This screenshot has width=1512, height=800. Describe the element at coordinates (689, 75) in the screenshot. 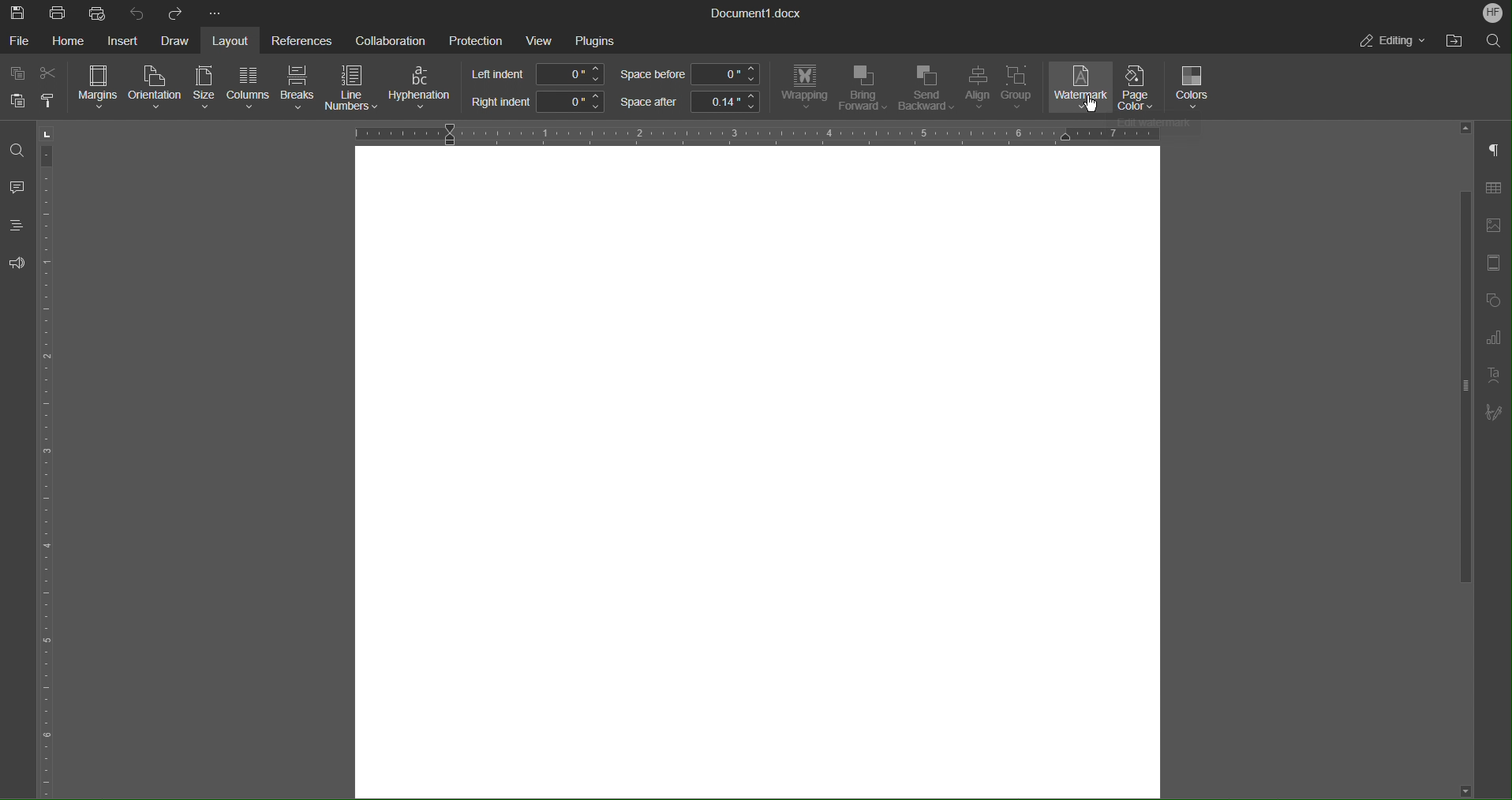

I see `Space before` at that location.